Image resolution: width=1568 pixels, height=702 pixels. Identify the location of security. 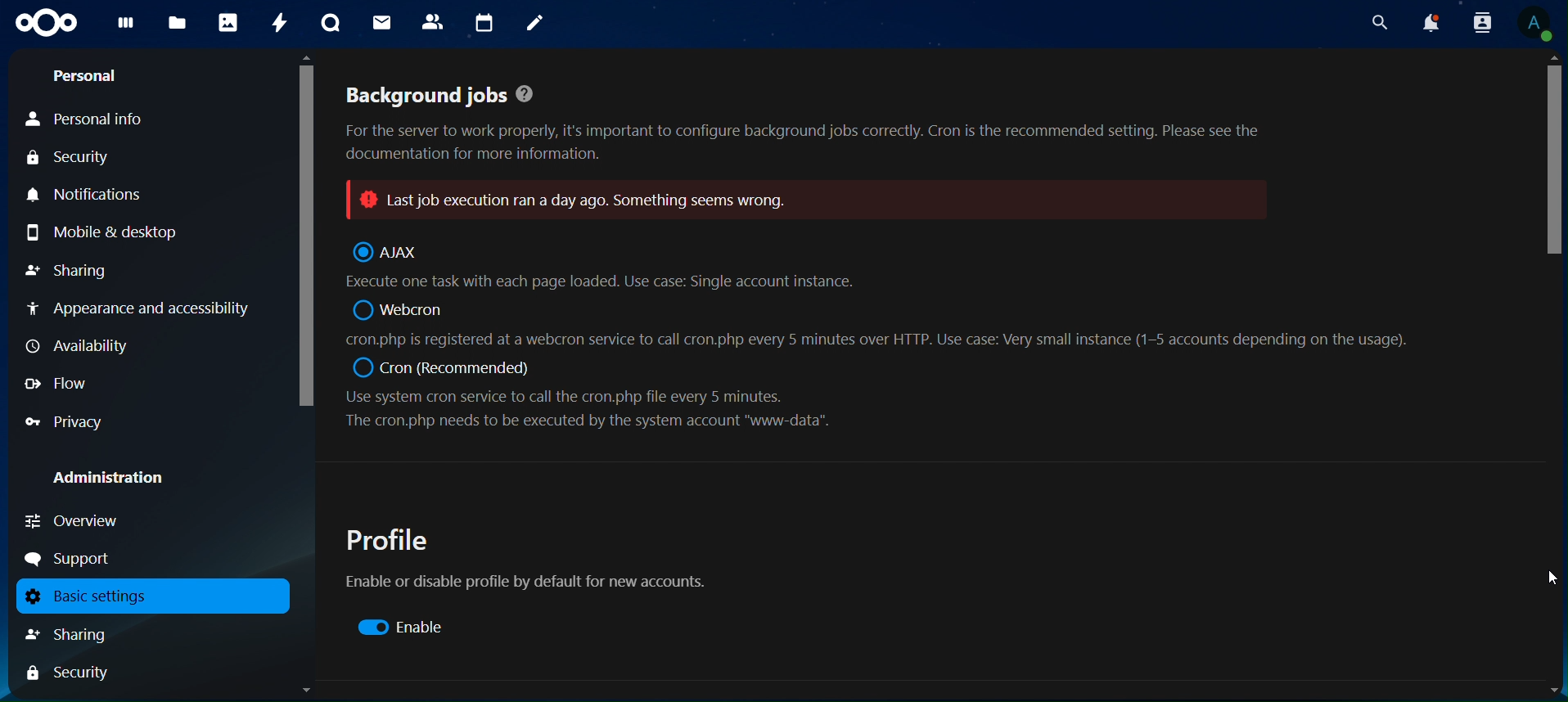
(78, 160).